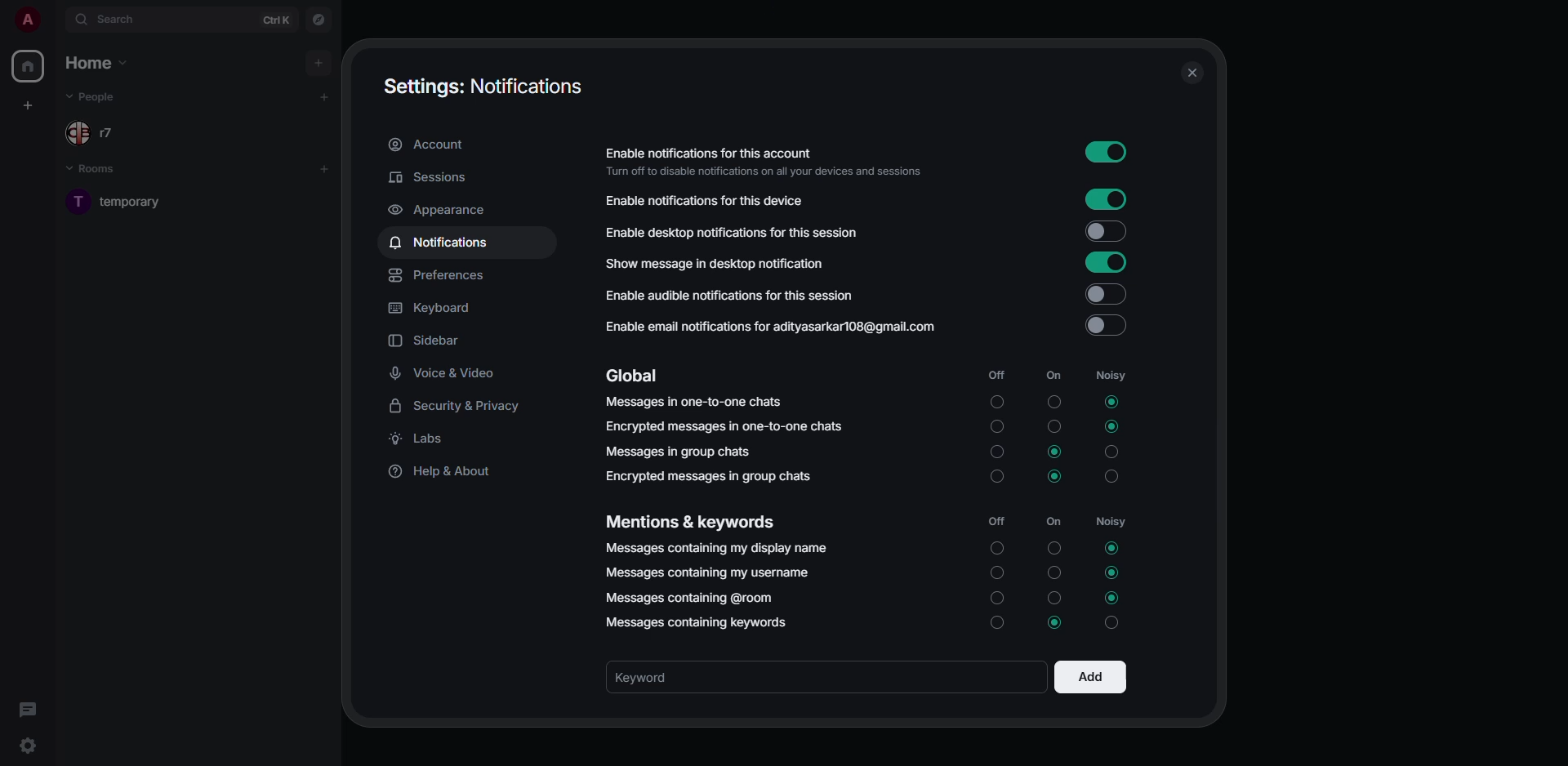  Describe the element at coordinates (319, 22) in the screenshot. I see `navigator` at that location.